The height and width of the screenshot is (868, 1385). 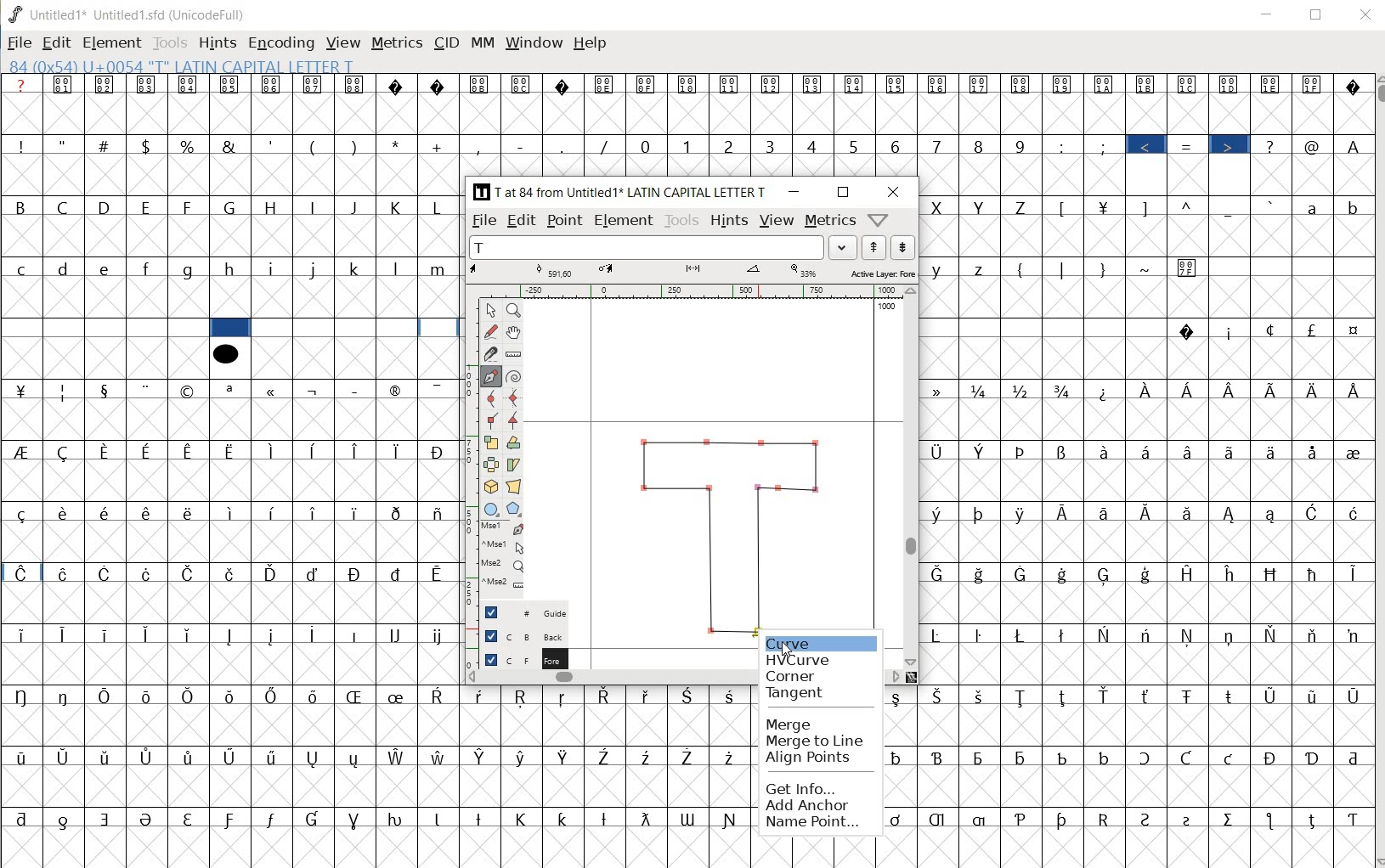 What do you see at coordinates (482, 43) in the screenshot?
I see `mm` at bounding box center [482, 43].